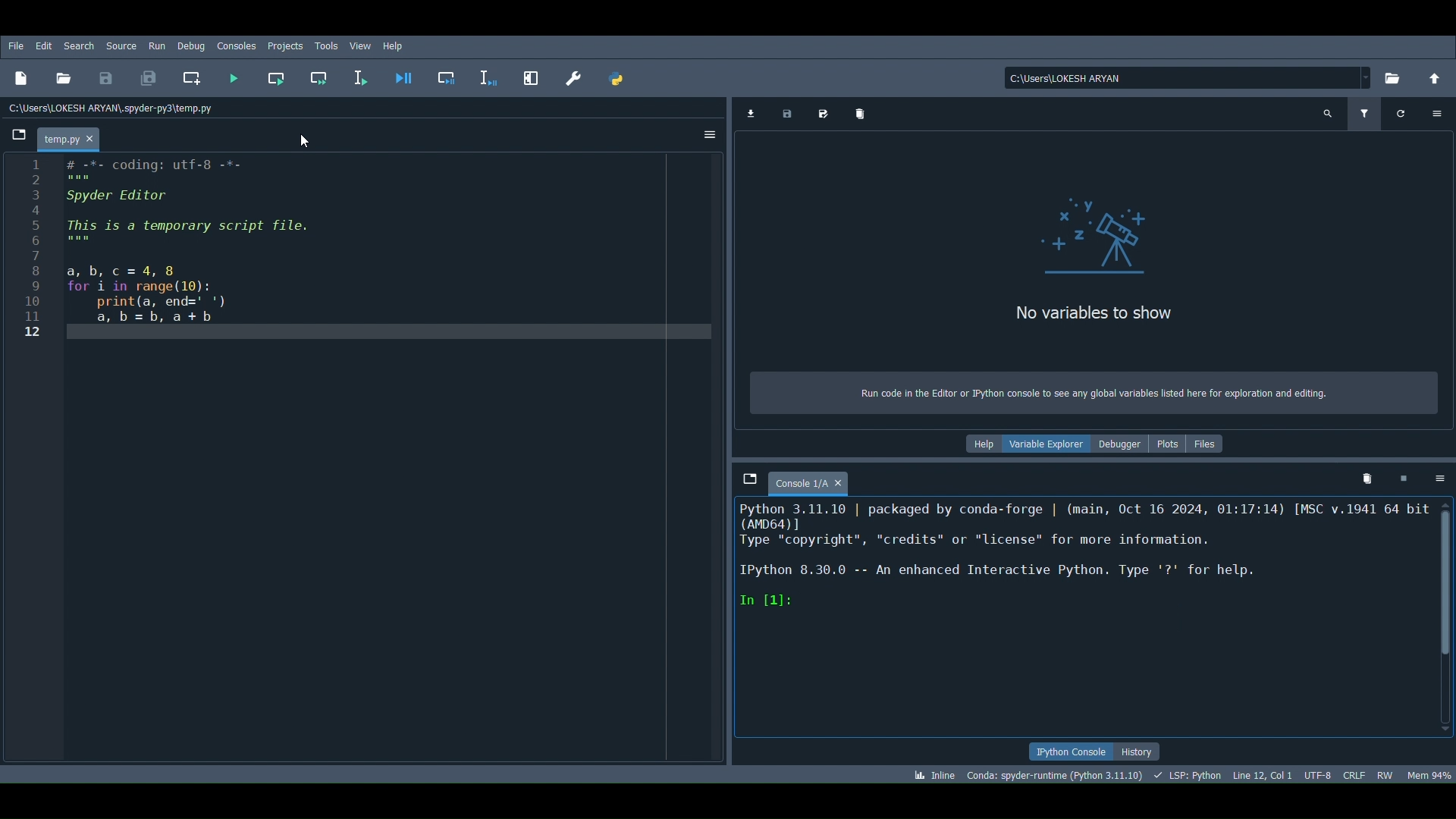  What do you see at coordinates (1441, 480) in the screenshot?
I see `Options` at bounding box center [1441, 480].